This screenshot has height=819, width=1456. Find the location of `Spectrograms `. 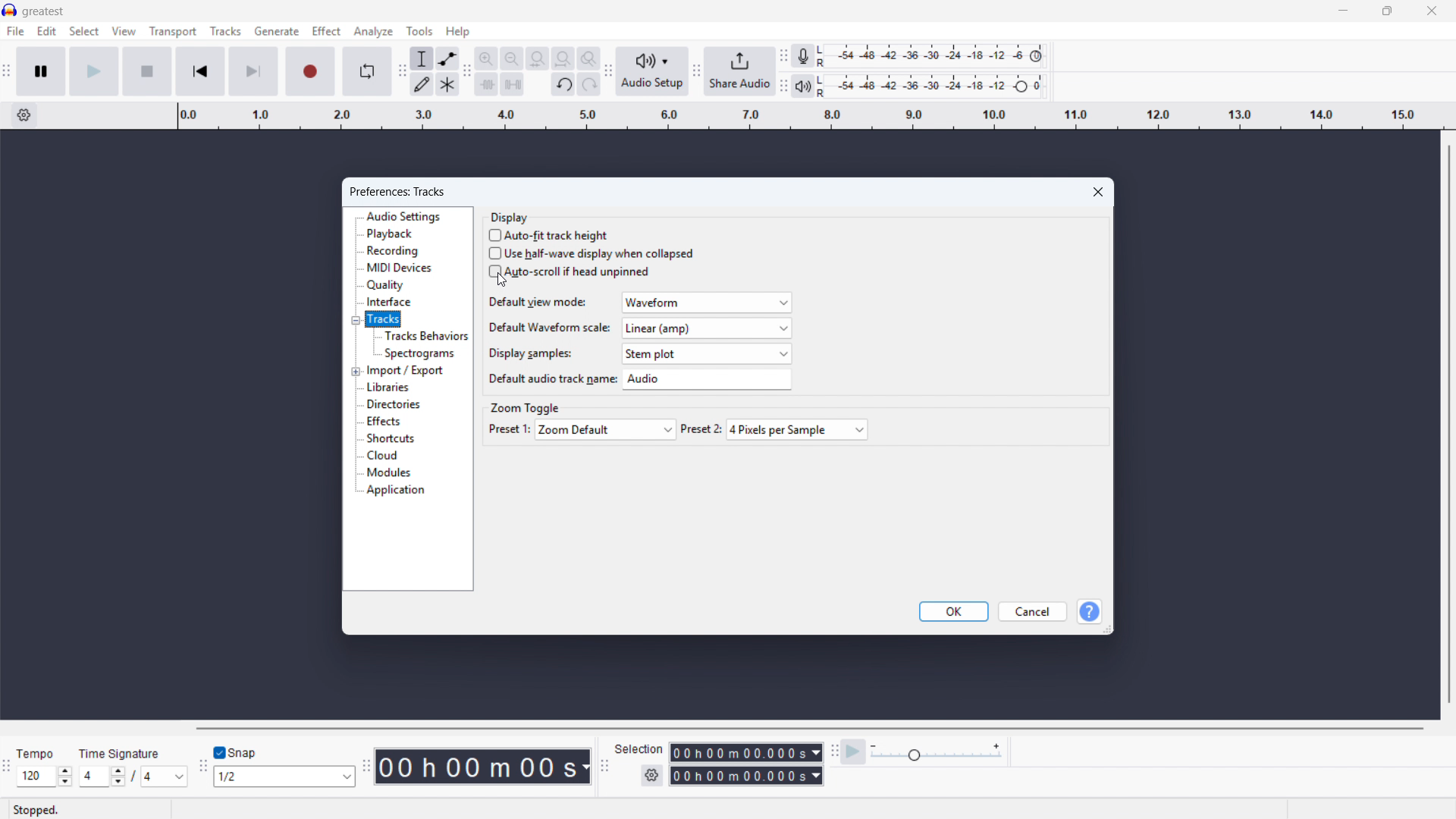

Spectrograms  is located at coordinates (419, 354).